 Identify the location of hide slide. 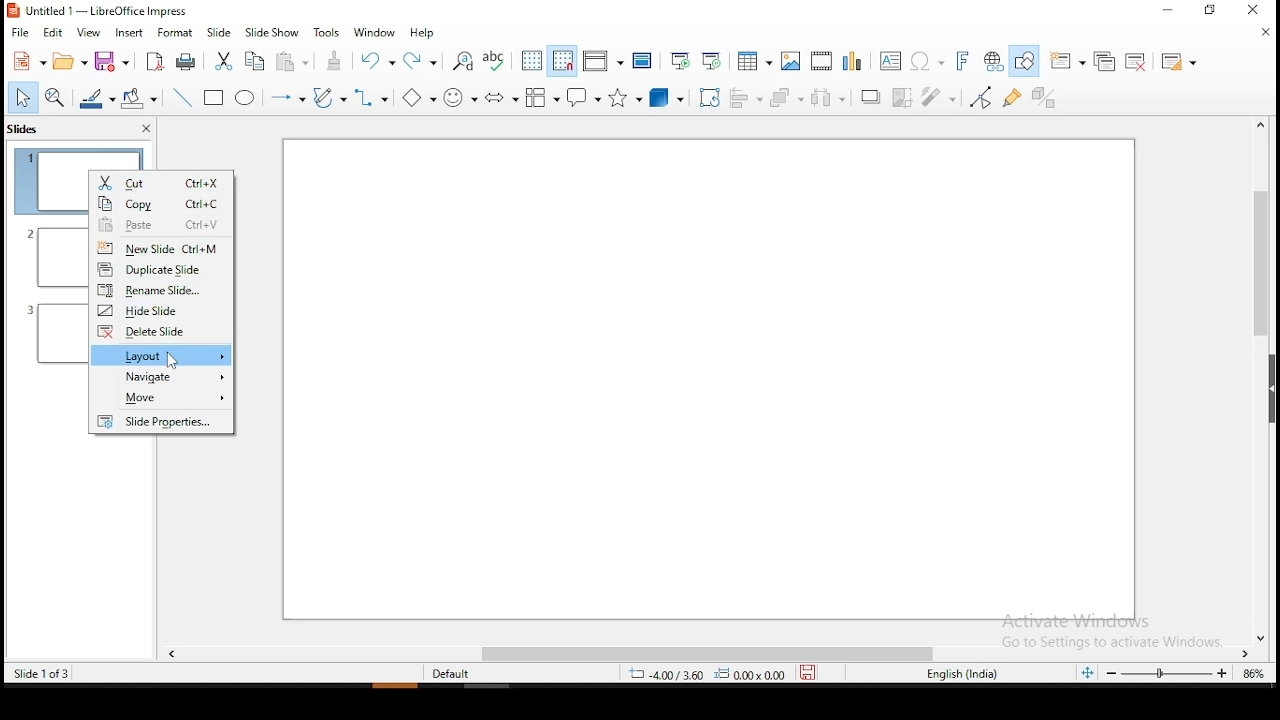
(161, 310).